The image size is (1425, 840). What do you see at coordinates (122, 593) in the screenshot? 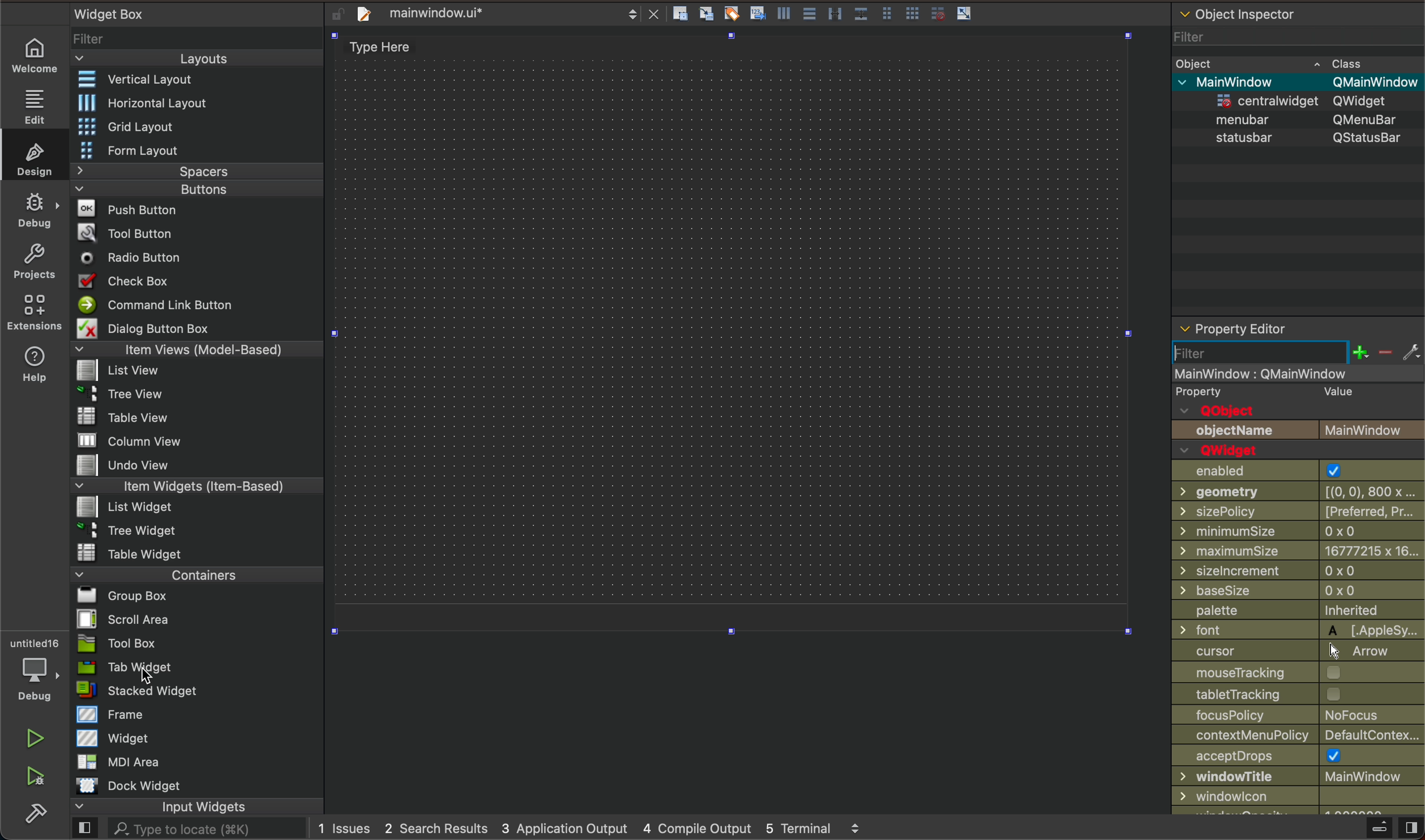
I see `Bl Group Box` at bounding box center [122, 593].